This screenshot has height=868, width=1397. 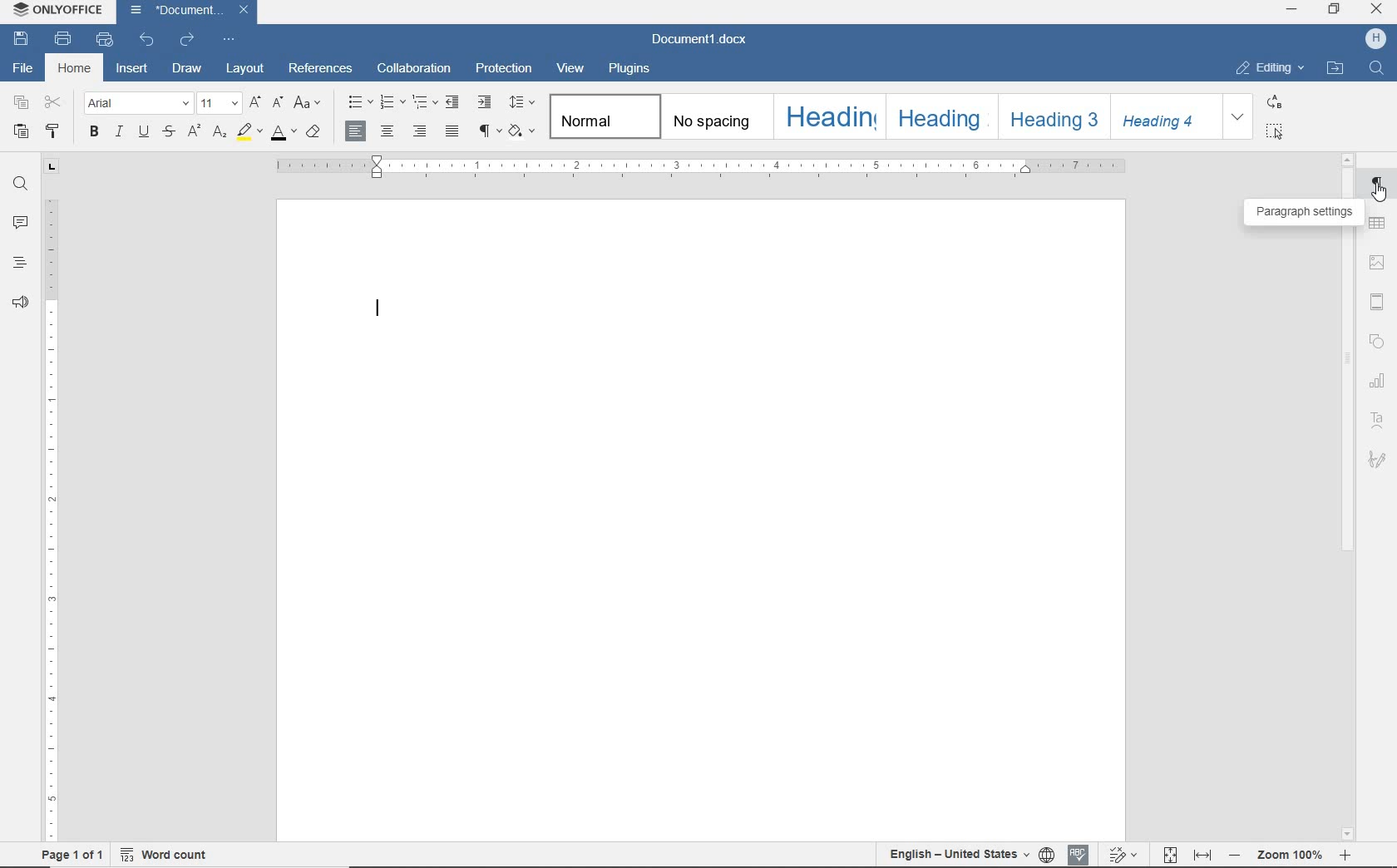 What do you see at coordinates (189, 69) in the screenshot?
I see `draw` at bounding box center [189, 69].